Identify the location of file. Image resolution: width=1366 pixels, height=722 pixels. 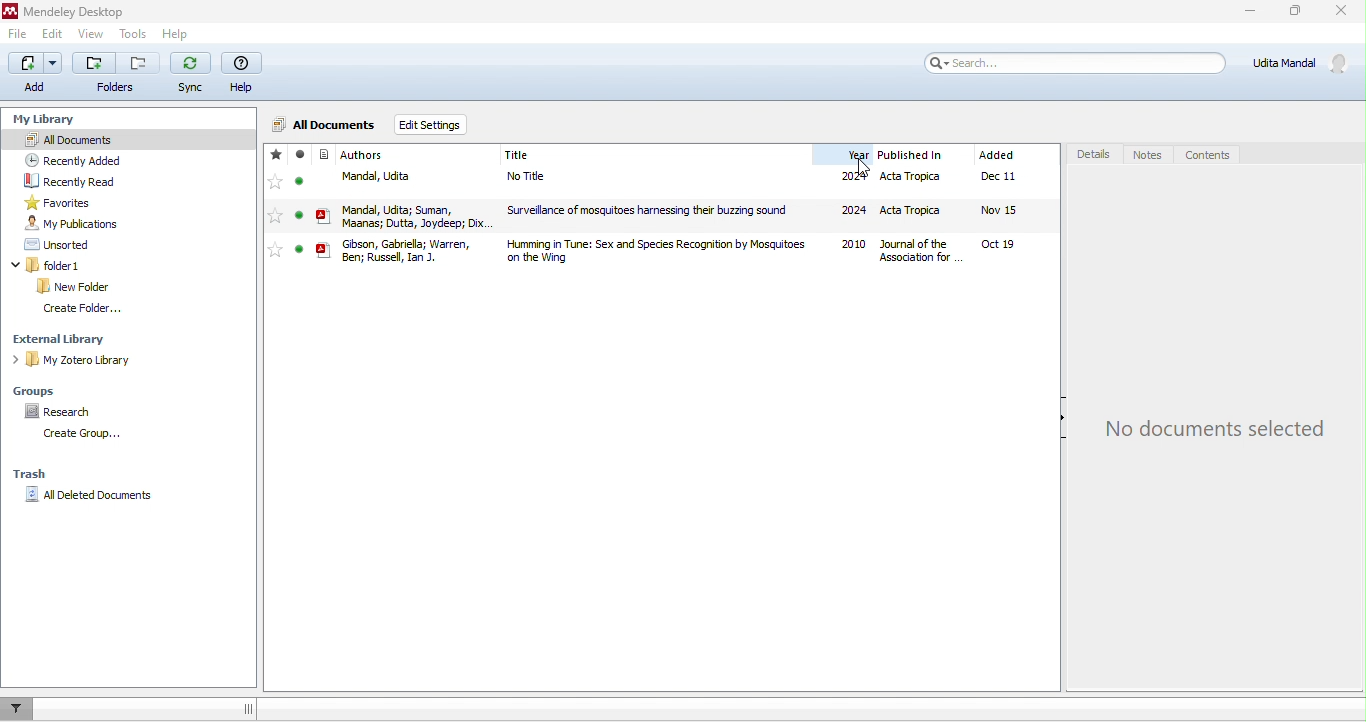
(15, 35).